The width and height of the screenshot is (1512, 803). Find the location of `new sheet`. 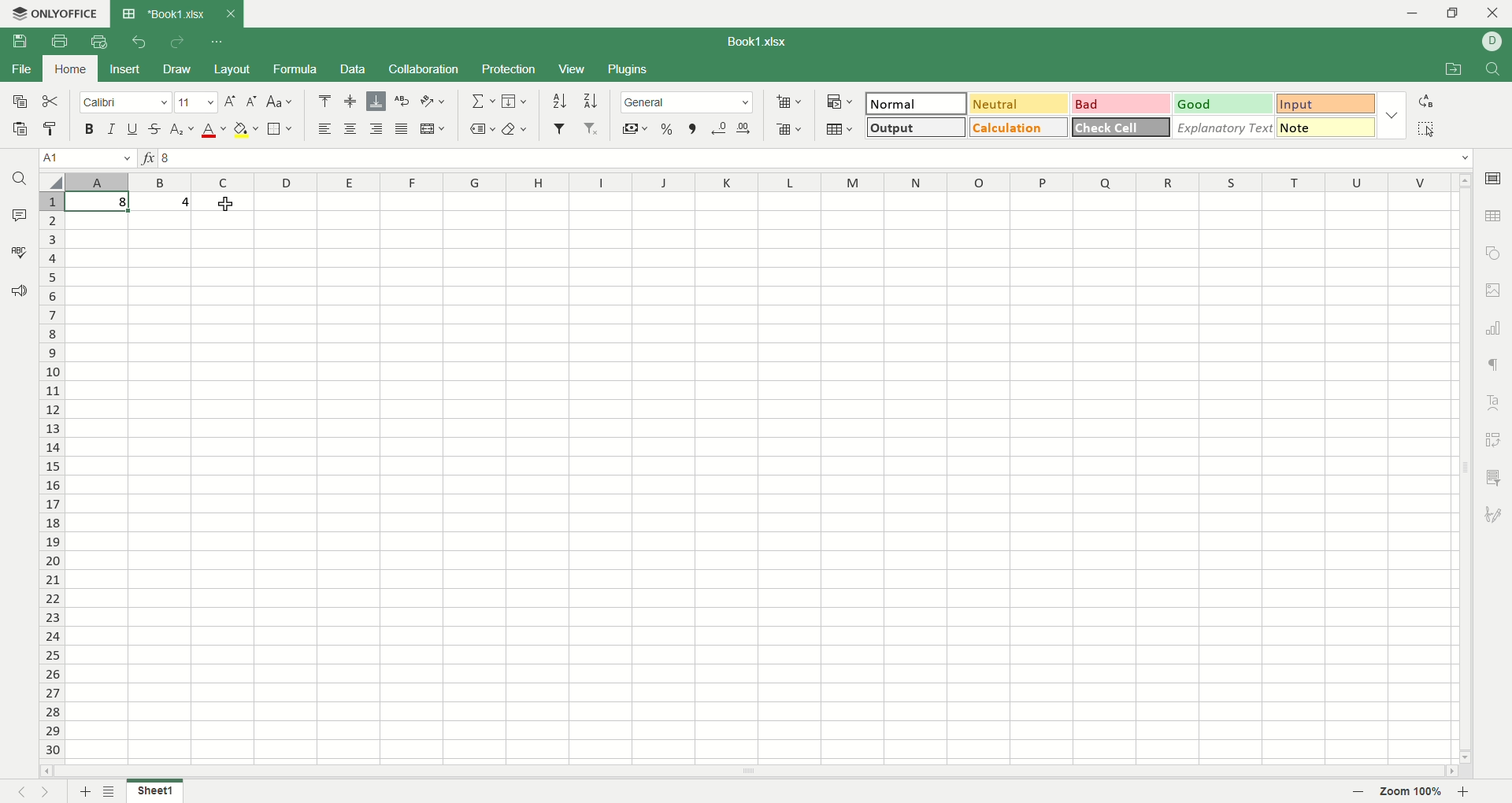

new sheet is located at coordinates (83, 792).